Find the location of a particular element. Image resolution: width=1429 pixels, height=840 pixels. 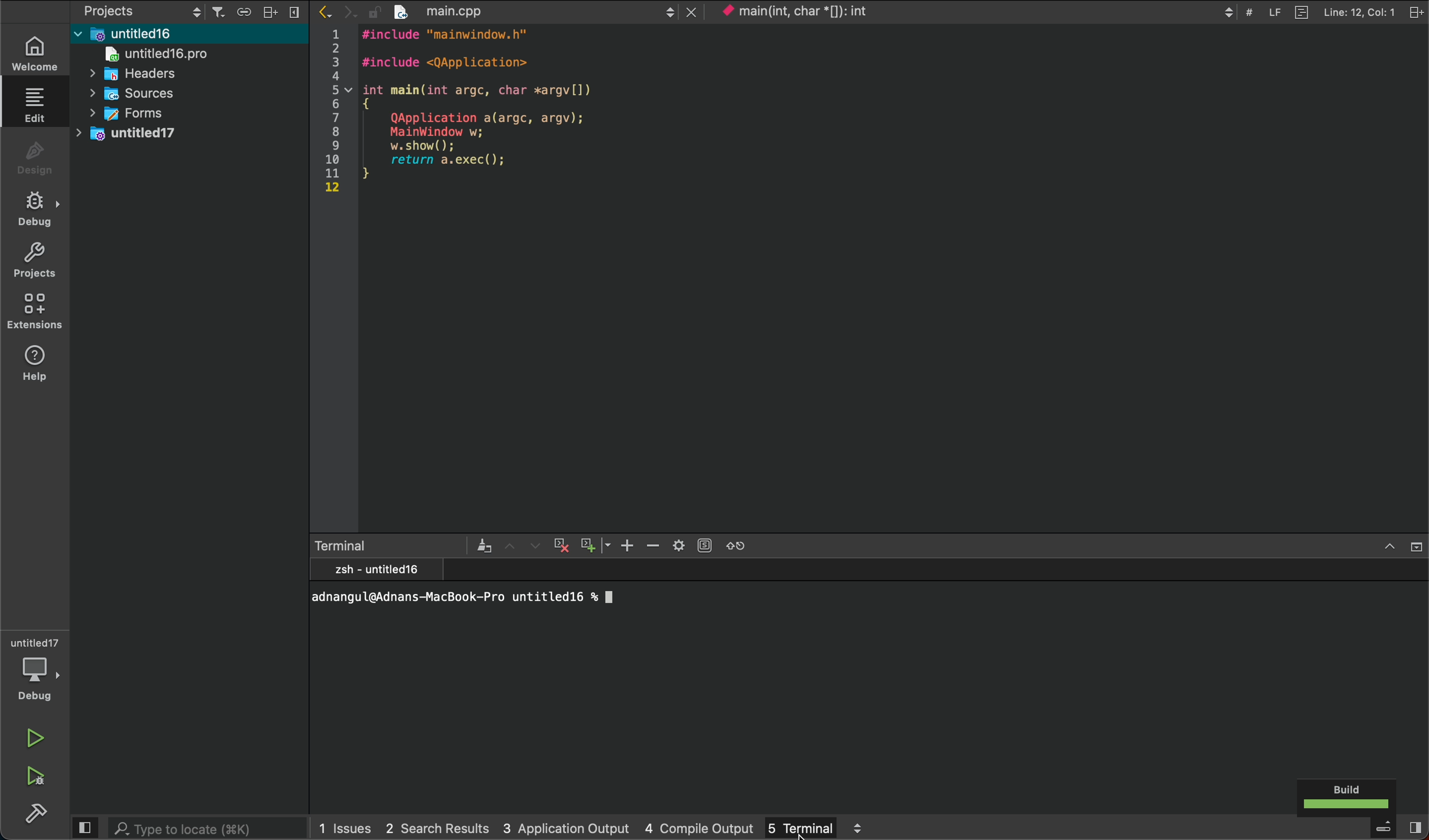

forms is located at coordinates (136, 112).